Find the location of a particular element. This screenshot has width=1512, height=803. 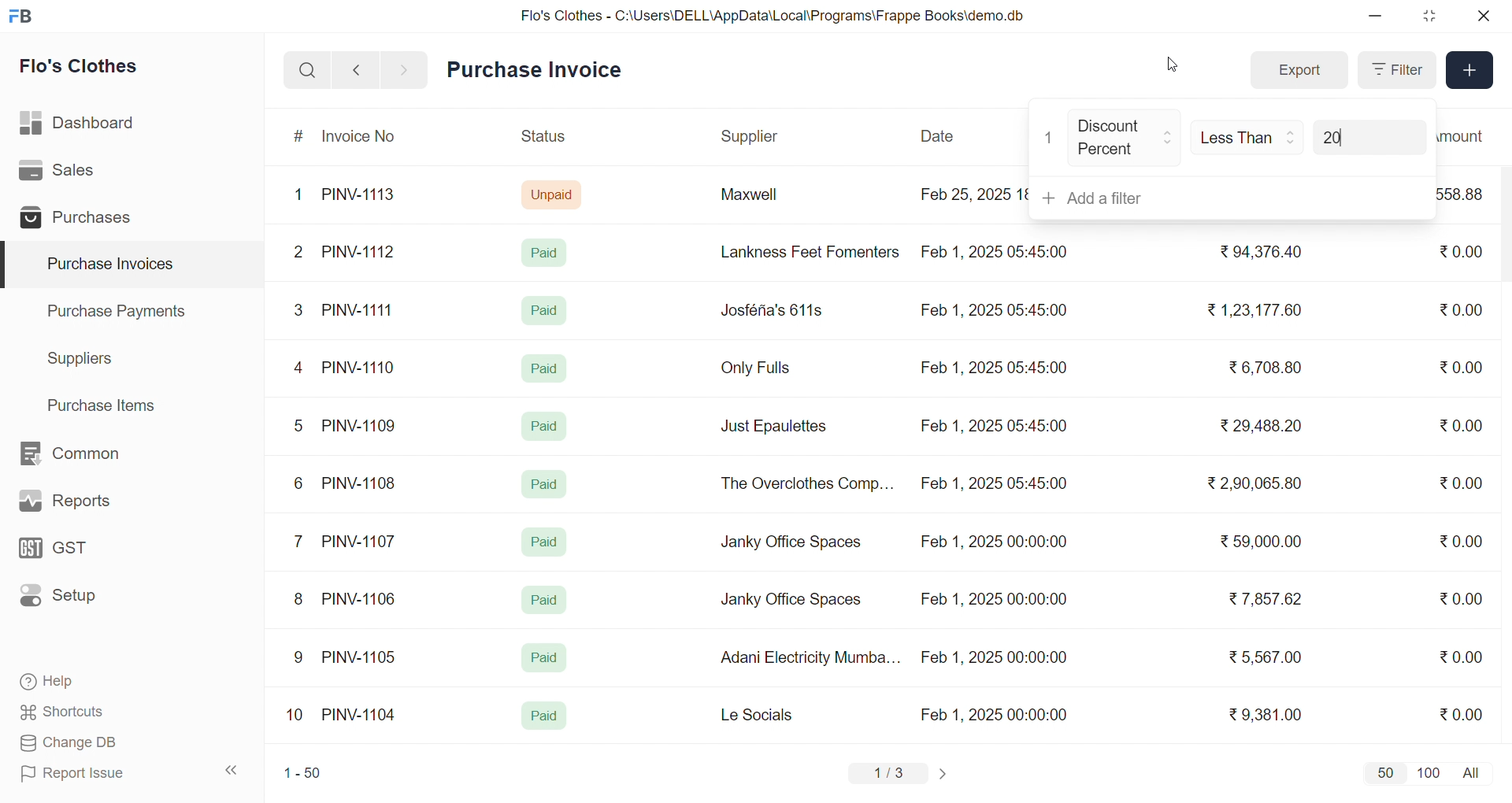

1-50 is located at coordinates (302, 775).